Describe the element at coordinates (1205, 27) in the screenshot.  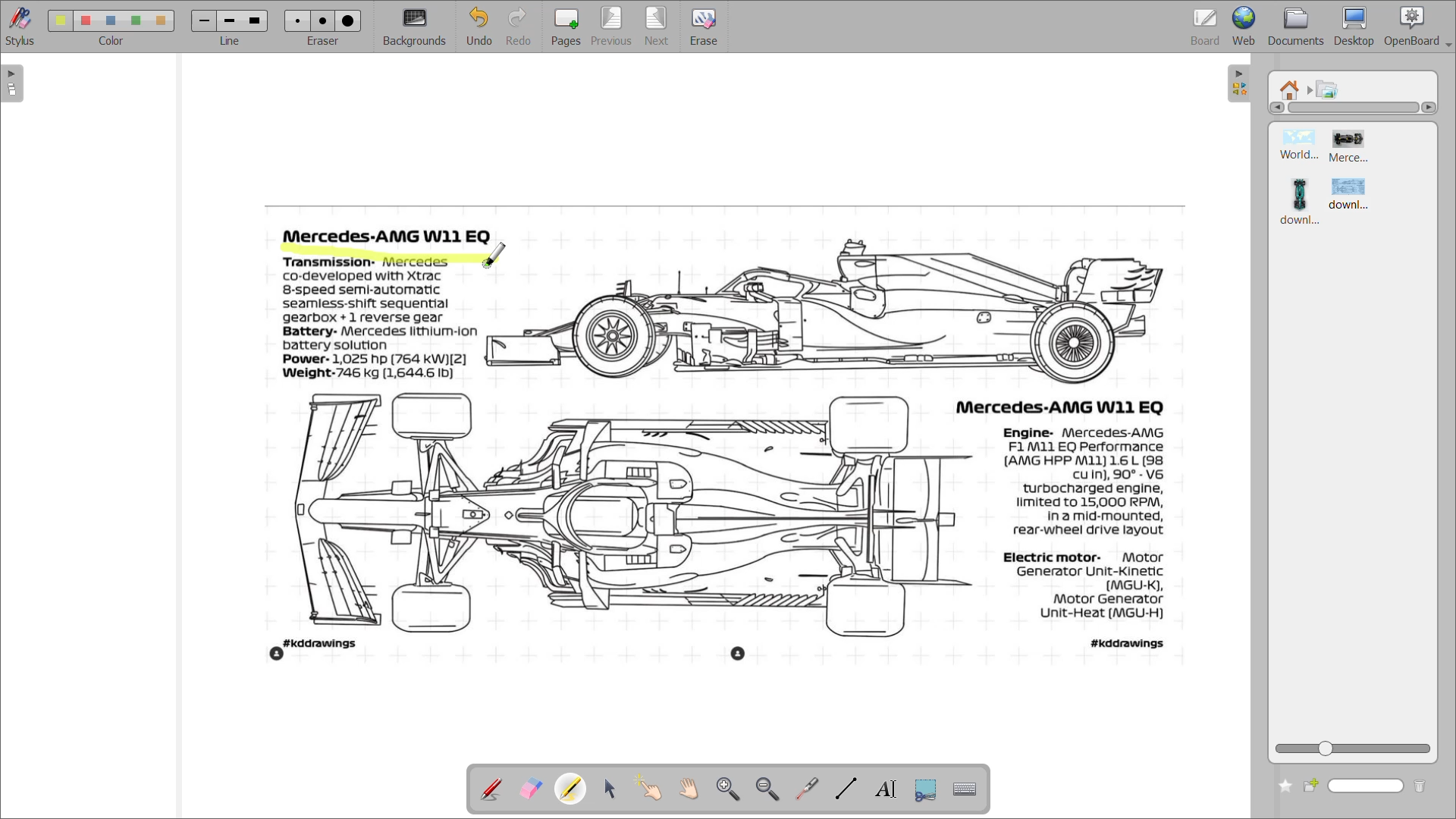
I see `board` at that location.